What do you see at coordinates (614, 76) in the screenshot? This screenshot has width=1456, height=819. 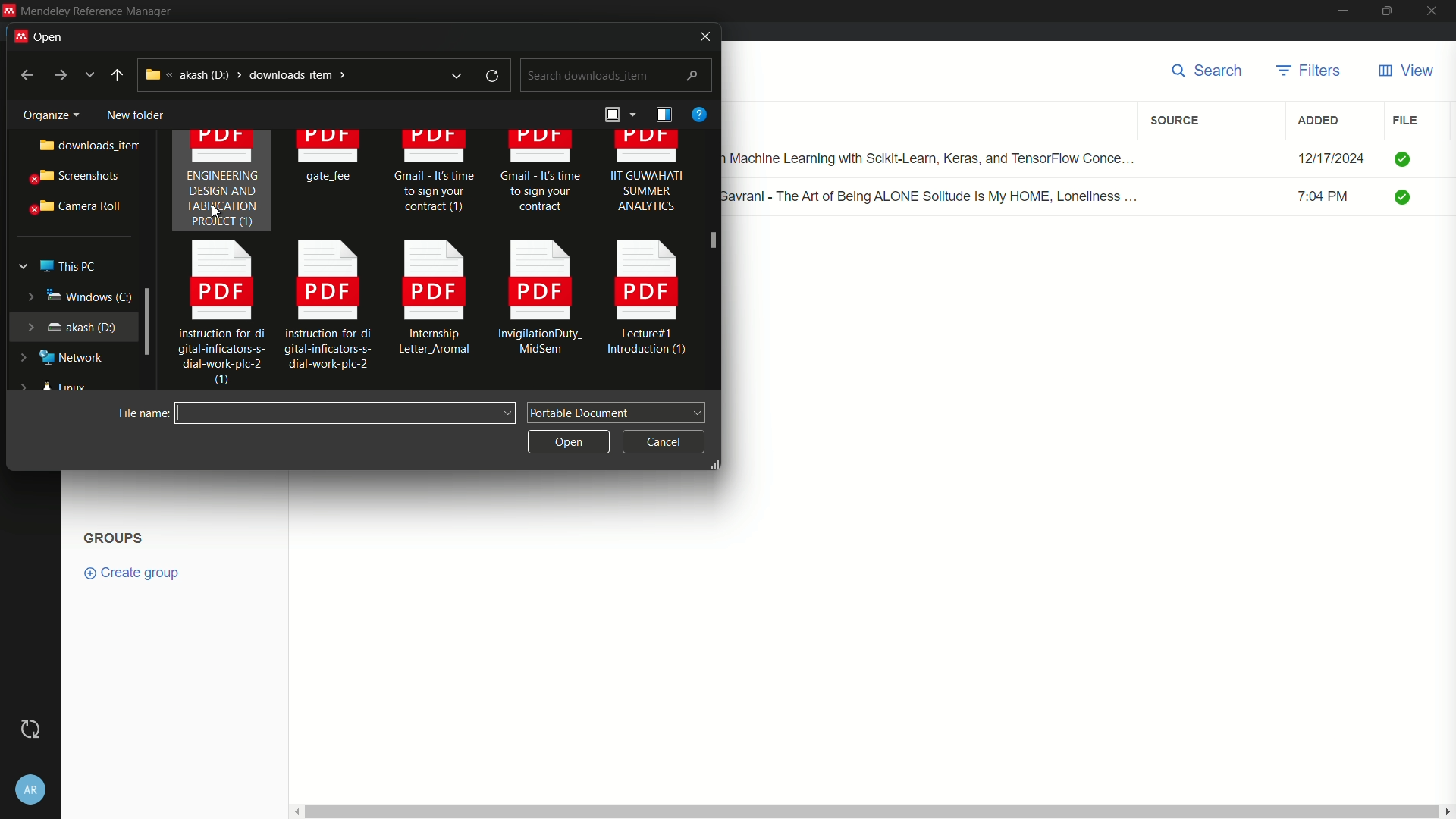 I see `search downloads_item` at bounding box center [614, 76].